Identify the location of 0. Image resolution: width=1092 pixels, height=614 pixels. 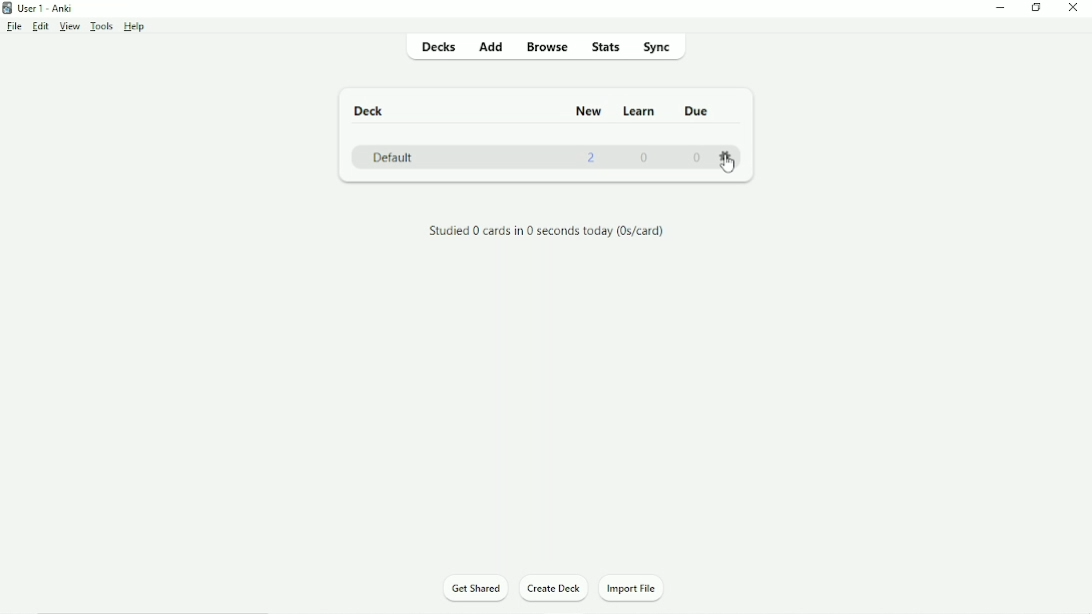
(698, 158).